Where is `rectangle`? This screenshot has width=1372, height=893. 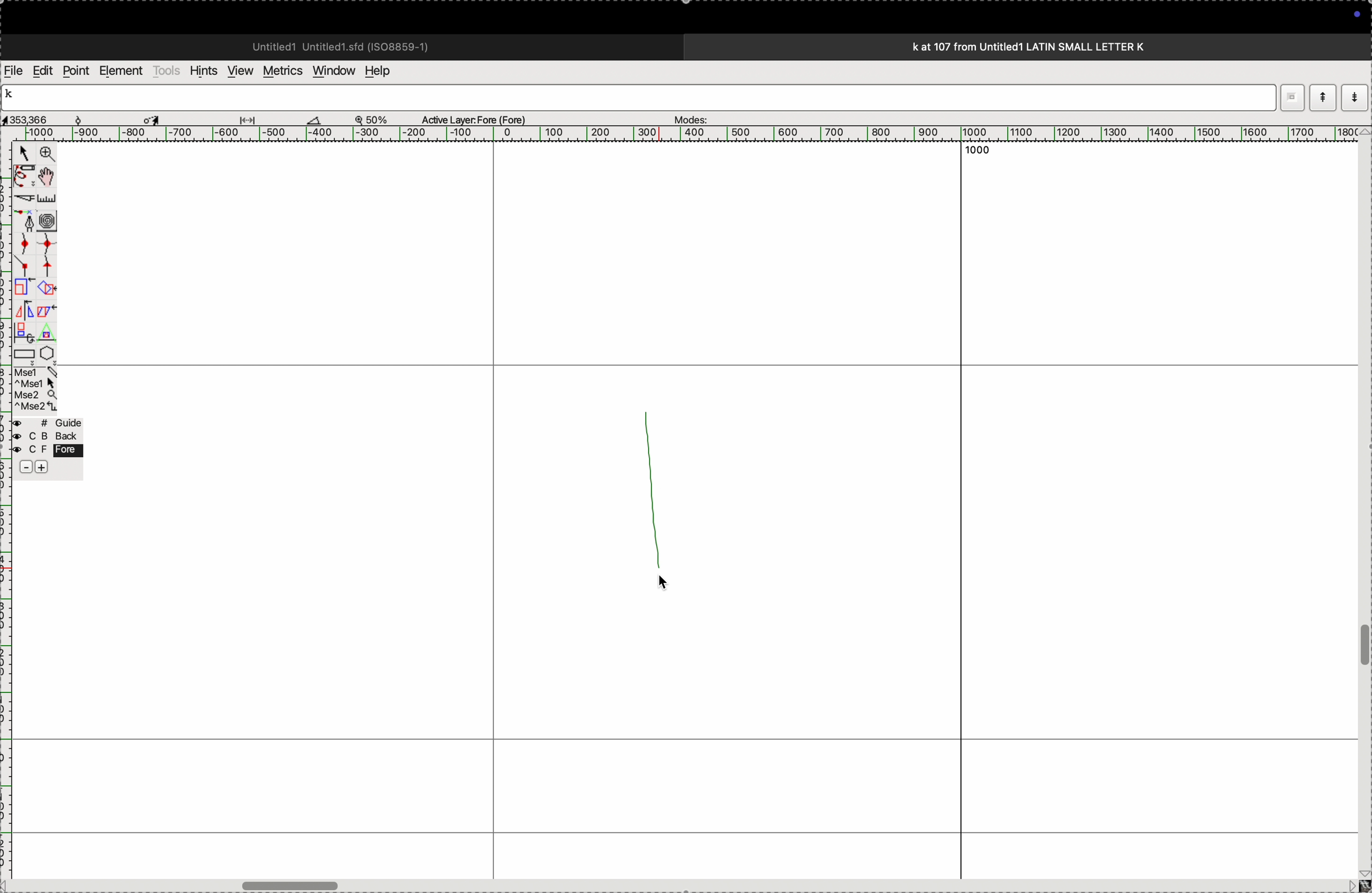
rectangle is located at coordinates (21, 352).